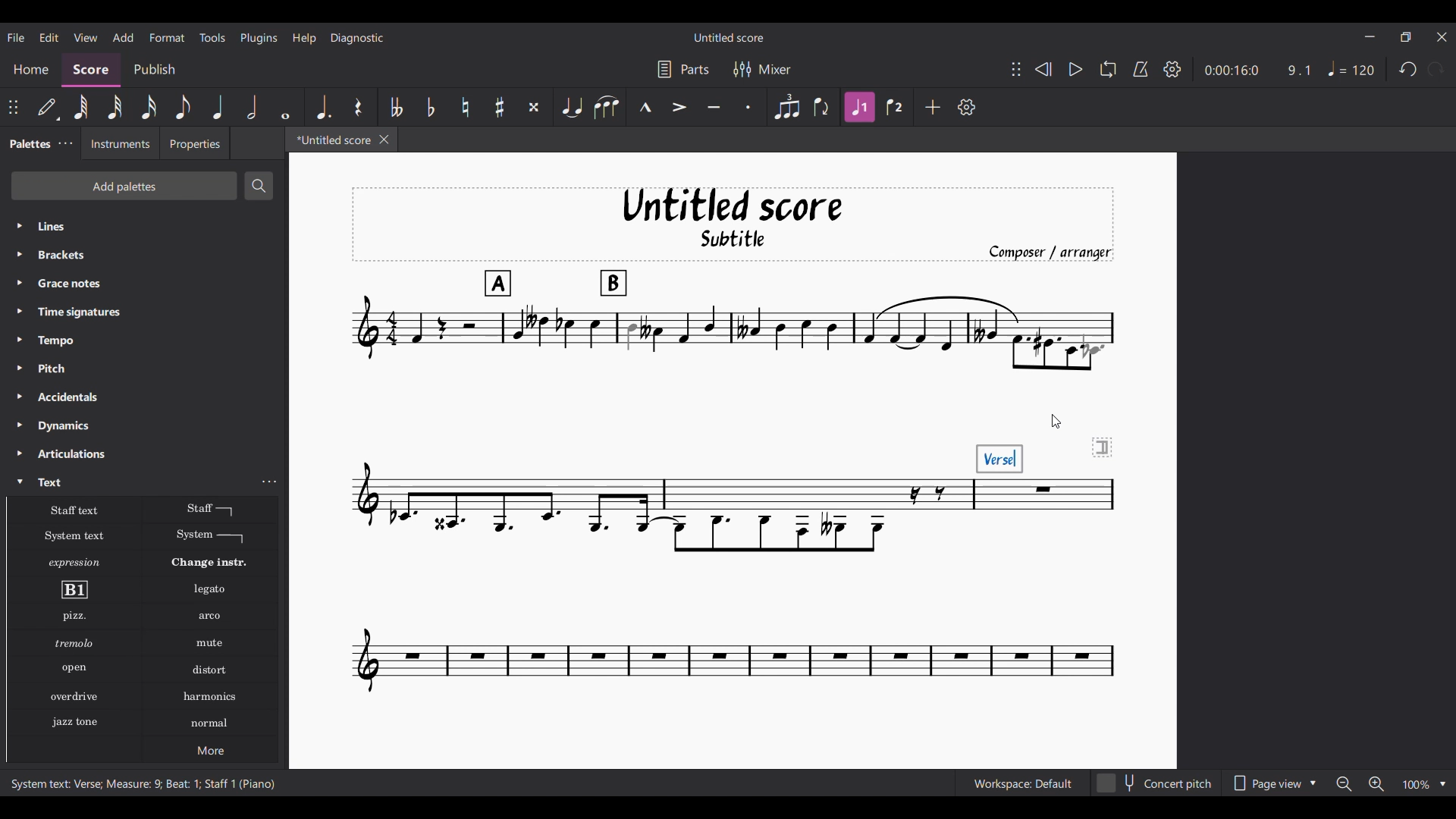 Image resolution: width=1456 pixels, height=819 pixels. Describe the element at coordinates (1141, 69) in the screenshot. I see `Metronome` at that location.